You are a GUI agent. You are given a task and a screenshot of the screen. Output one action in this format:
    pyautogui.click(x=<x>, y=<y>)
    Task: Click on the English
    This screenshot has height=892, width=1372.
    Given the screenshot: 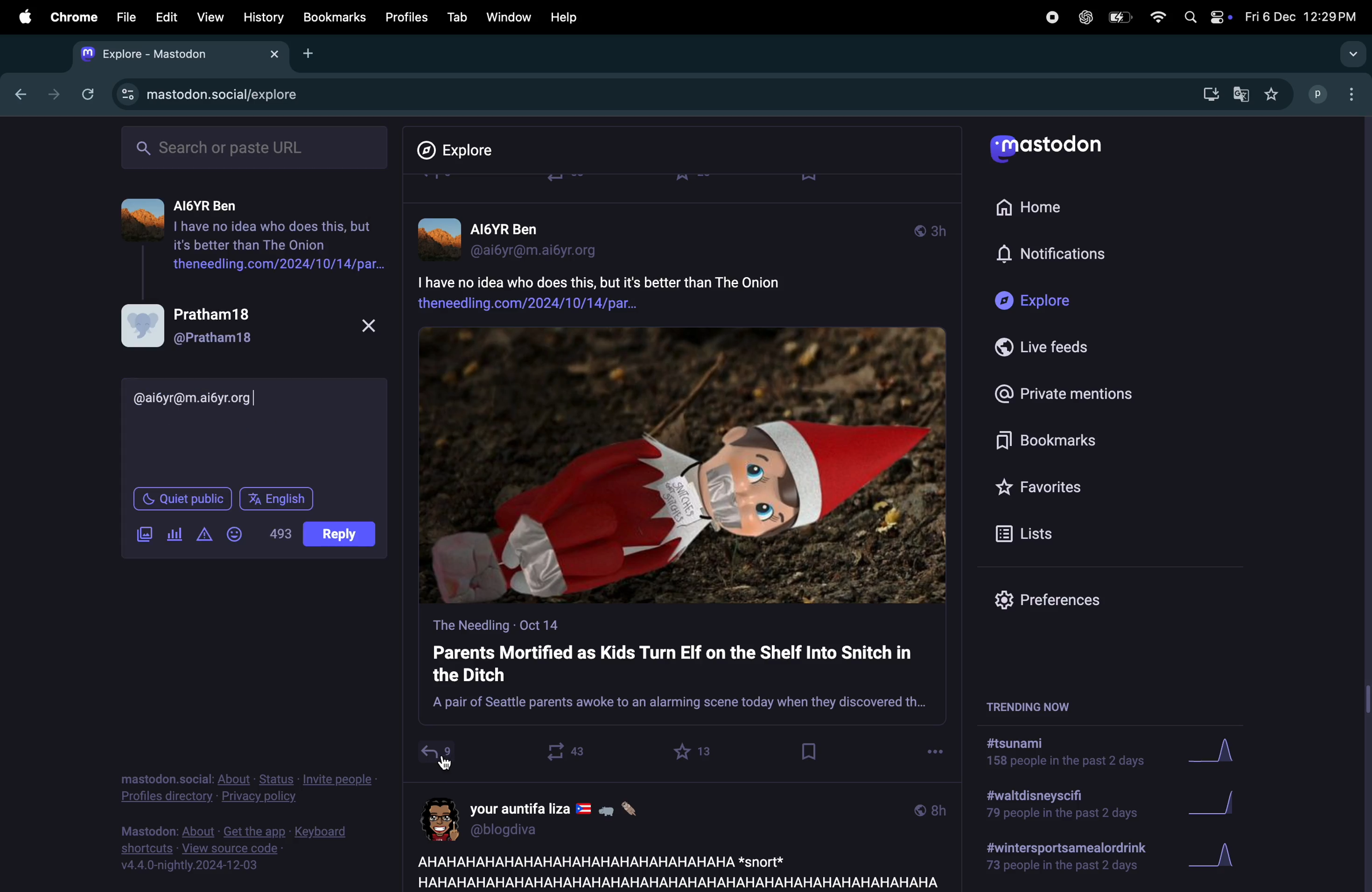 What is the action you would take?
    pyautogui.click(x=276, y=496)
    